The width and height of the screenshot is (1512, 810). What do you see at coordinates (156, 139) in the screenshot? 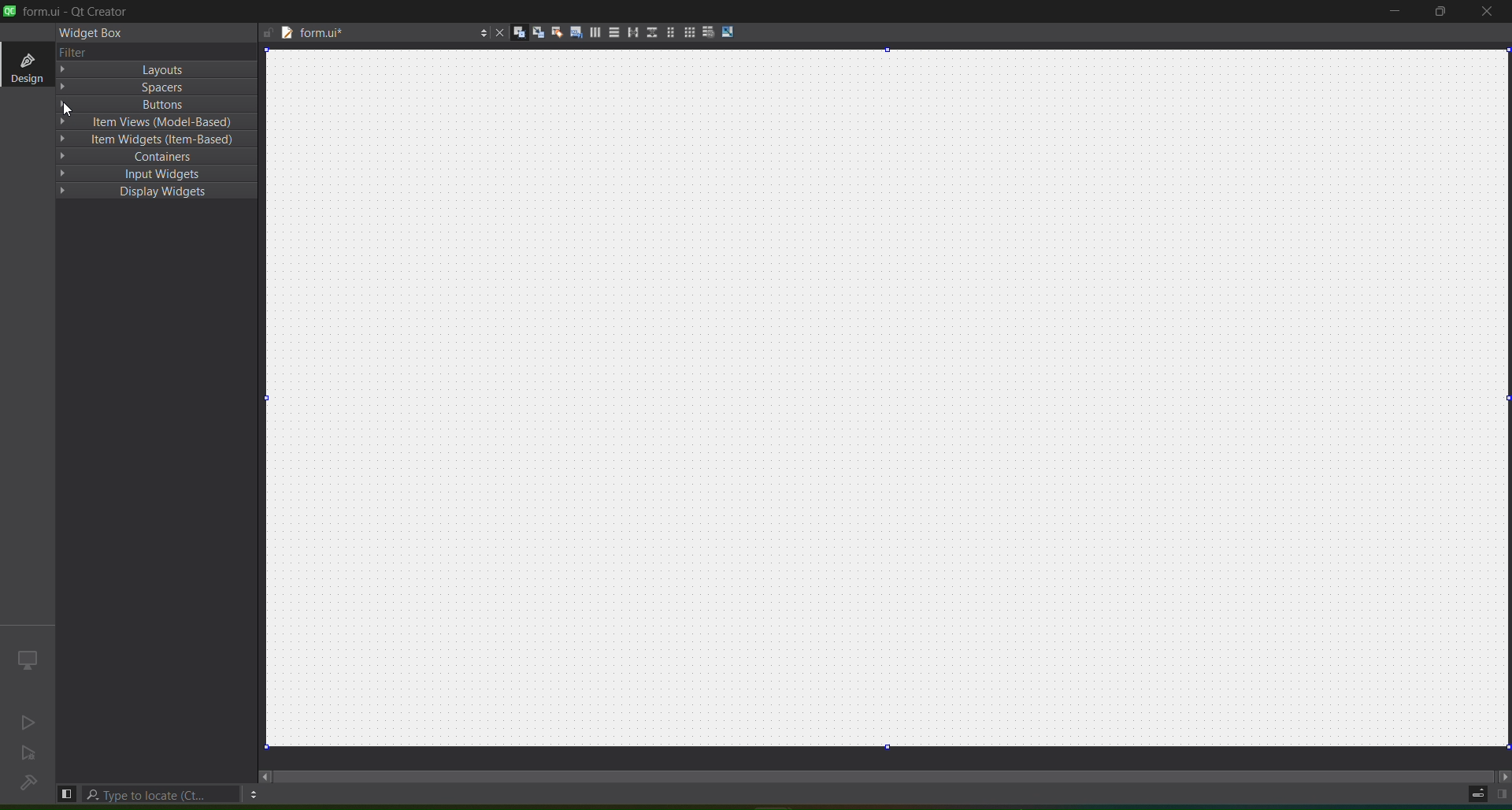
I see `Item Widgets` at bounding box center [156, 139].